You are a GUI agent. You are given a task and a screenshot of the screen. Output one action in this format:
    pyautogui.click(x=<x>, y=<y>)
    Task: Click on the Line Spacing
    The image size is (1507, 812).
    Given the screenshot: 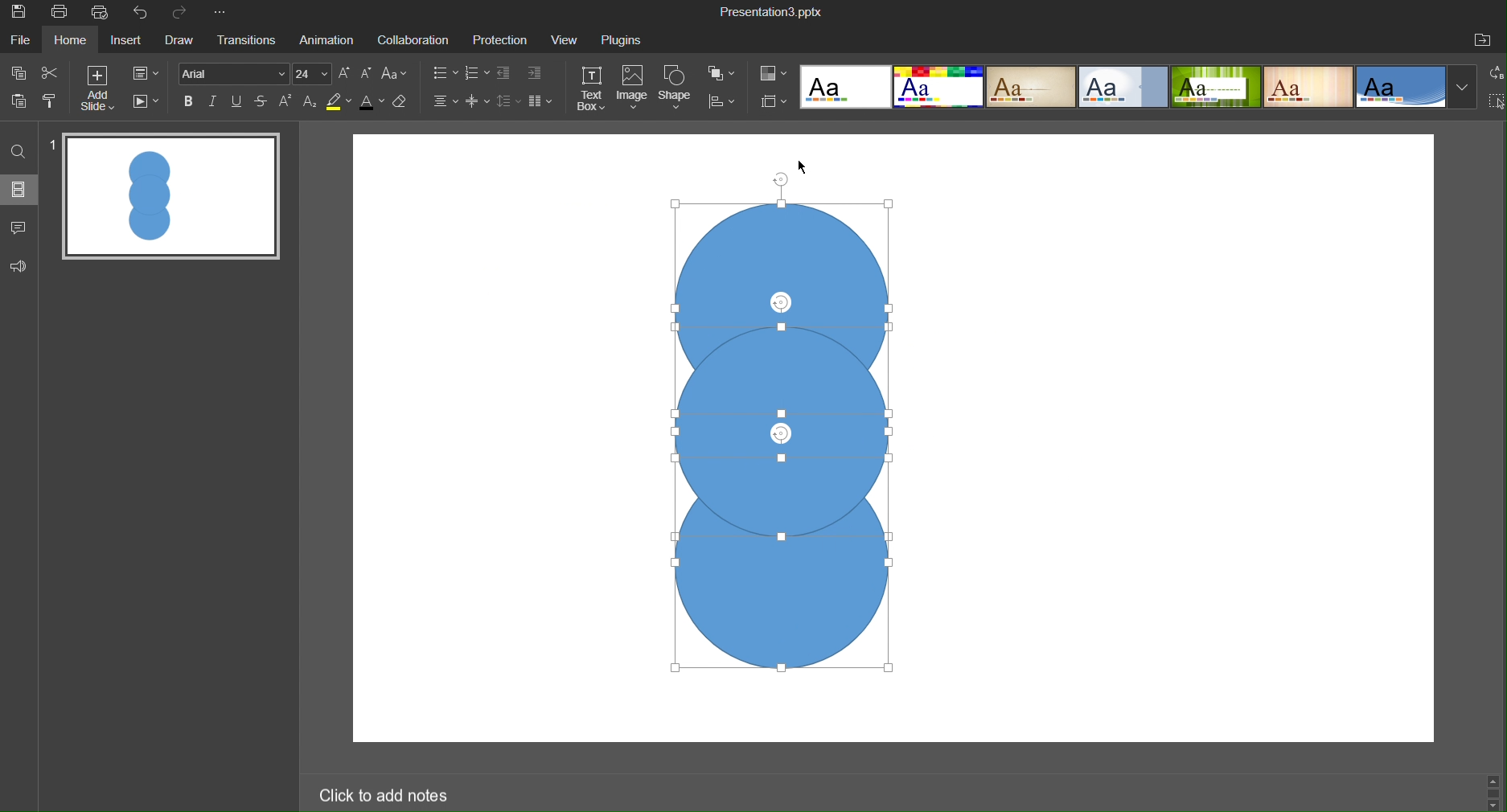 What is the action you would take?
    pyautogui.click(x=507, y=101)
    